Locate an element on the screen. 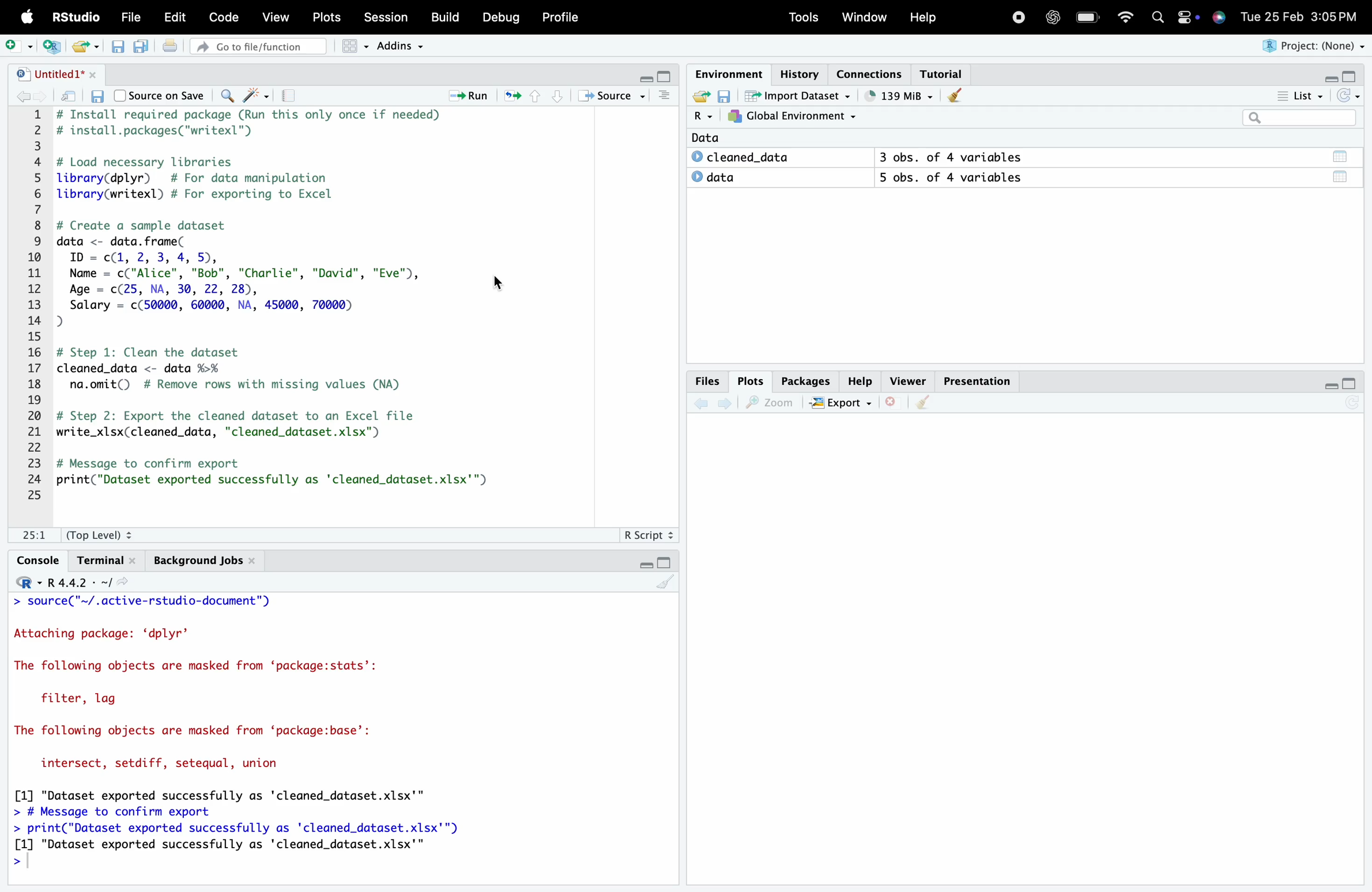  Go forward to the next source location (Ctrl + F10) is located at coordinates (726, 402).